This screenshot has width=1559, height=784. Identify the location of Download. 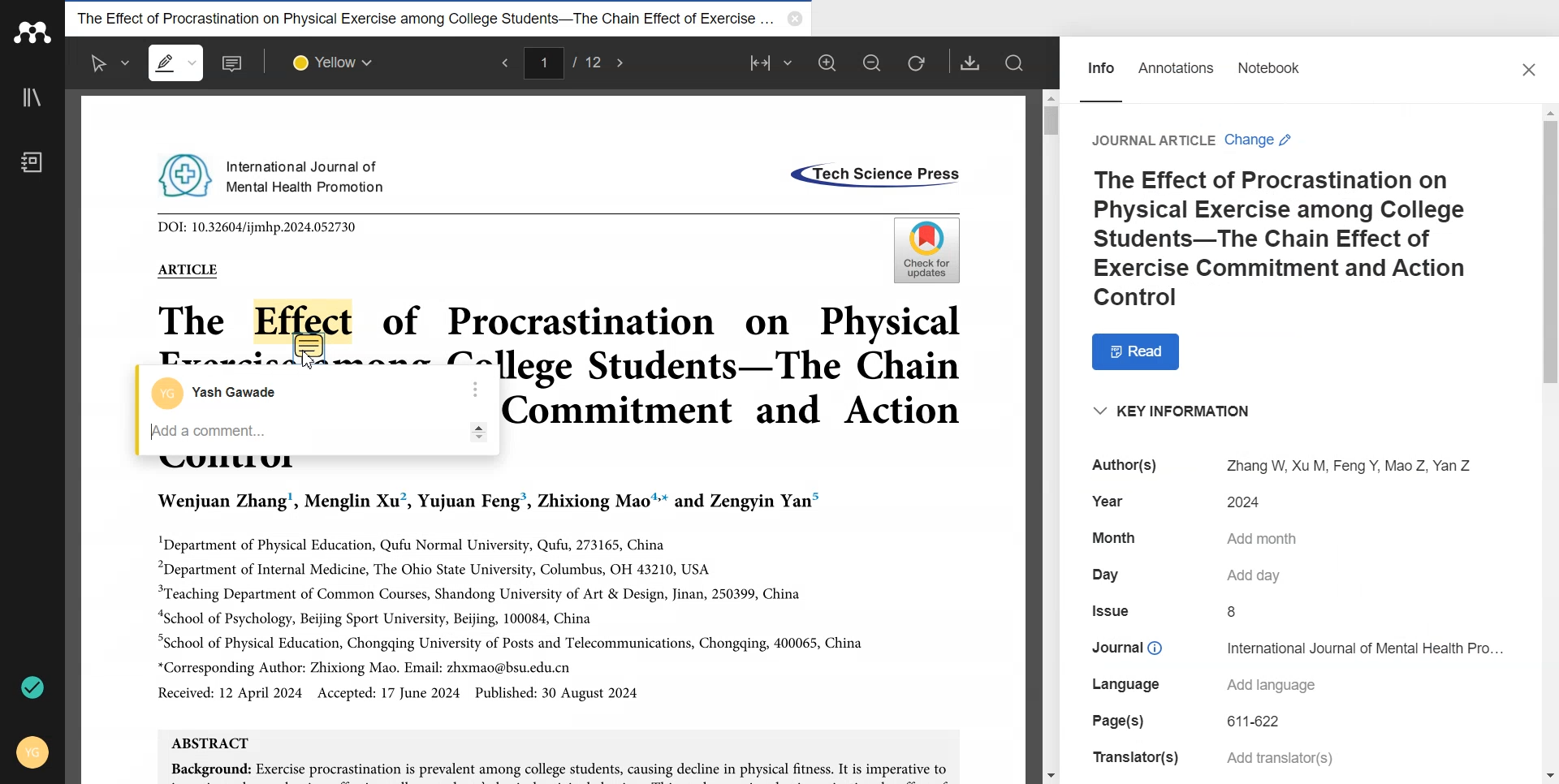
(971, 62).